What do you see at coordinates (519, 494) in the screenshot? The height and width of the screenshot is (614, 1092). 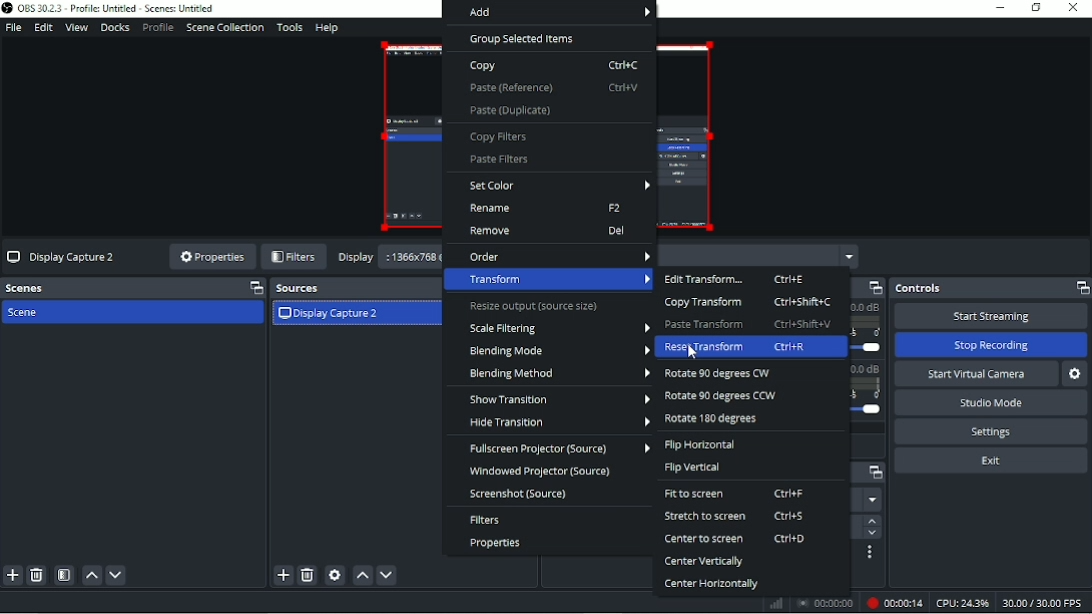 I see `Screenshot` at bounding box center [519, 494].